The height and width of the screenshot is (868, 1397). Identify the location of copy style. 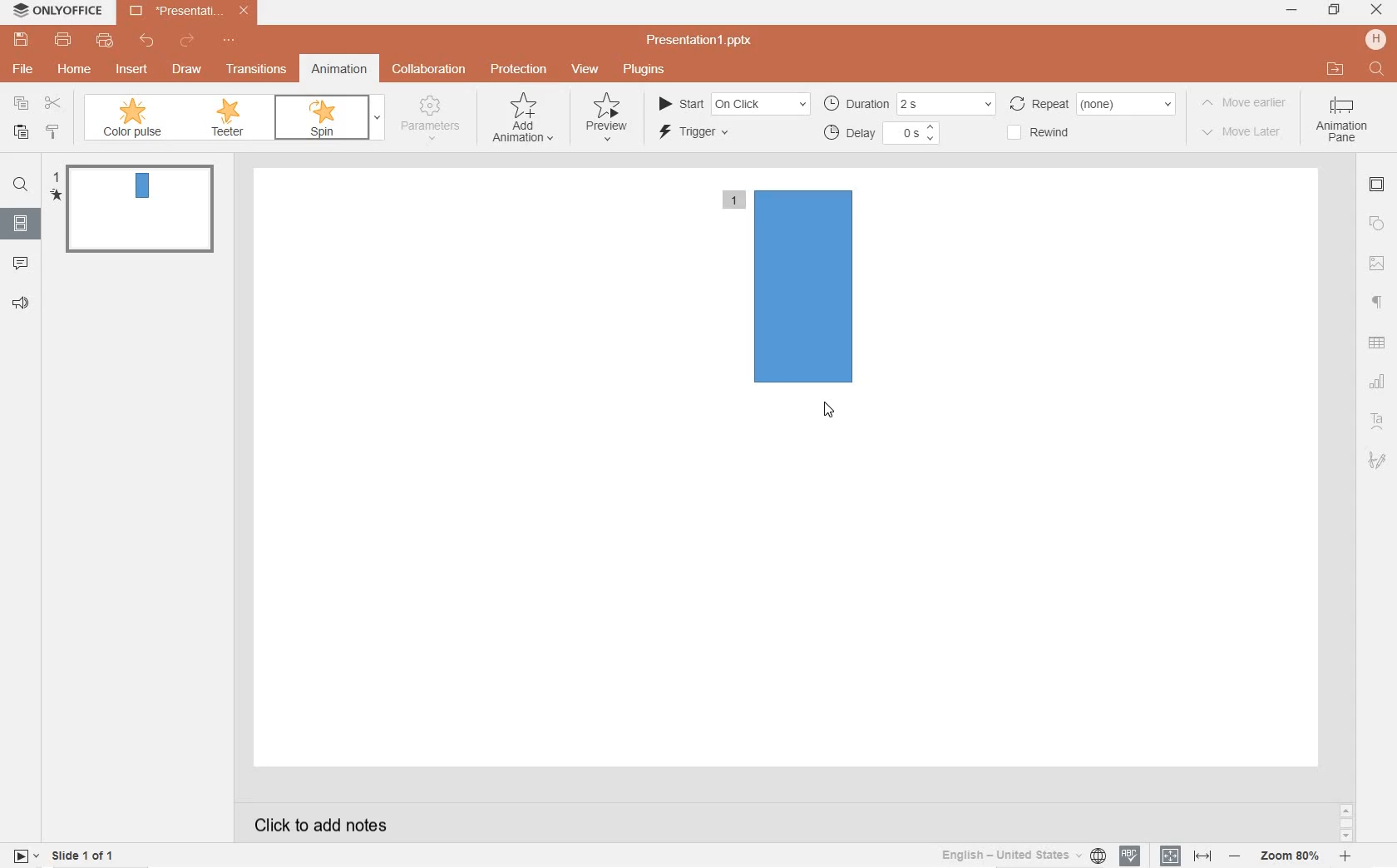
(54, 134).